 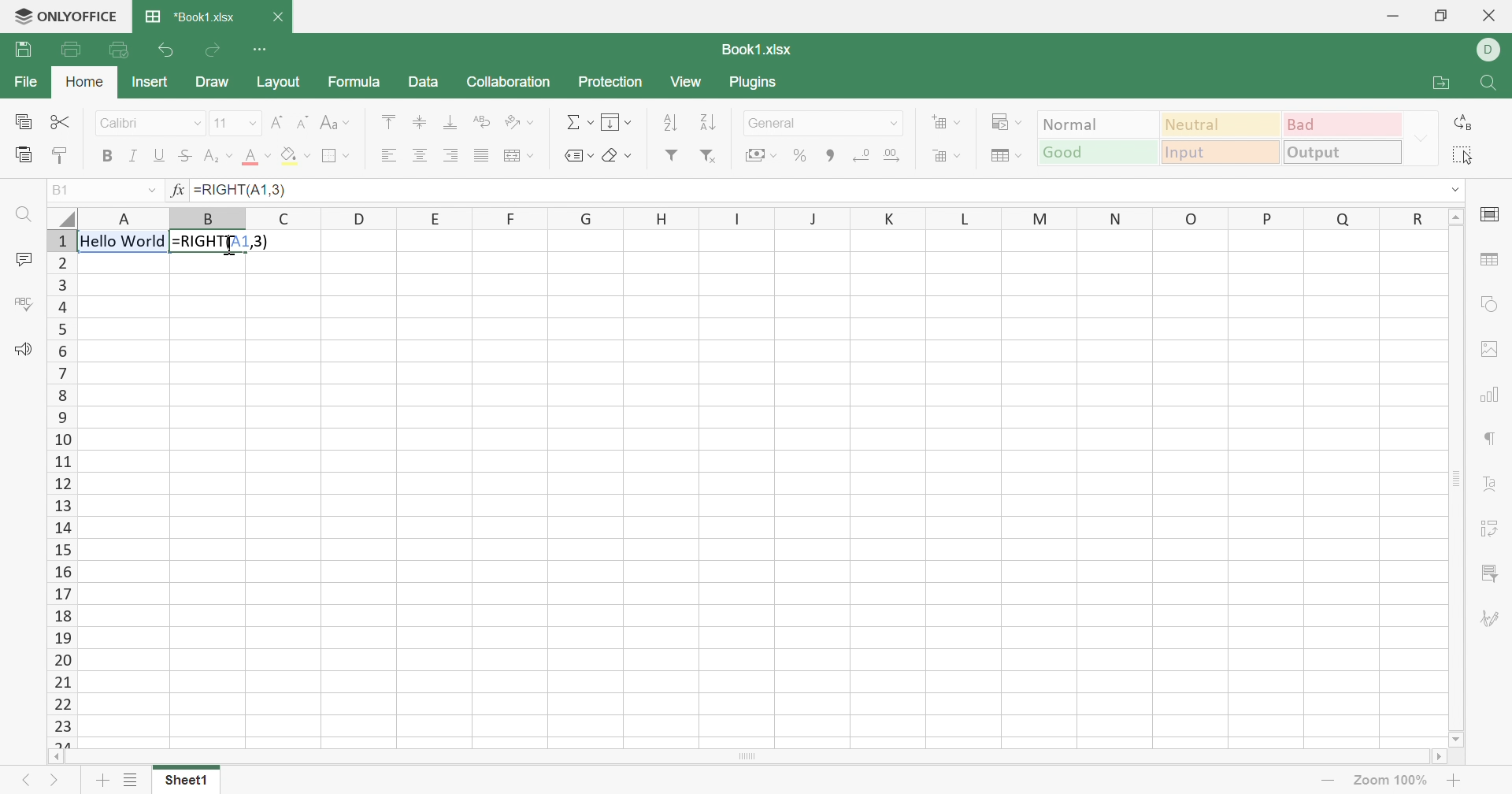 I want to click on Column names, so click(x=754, y=217).